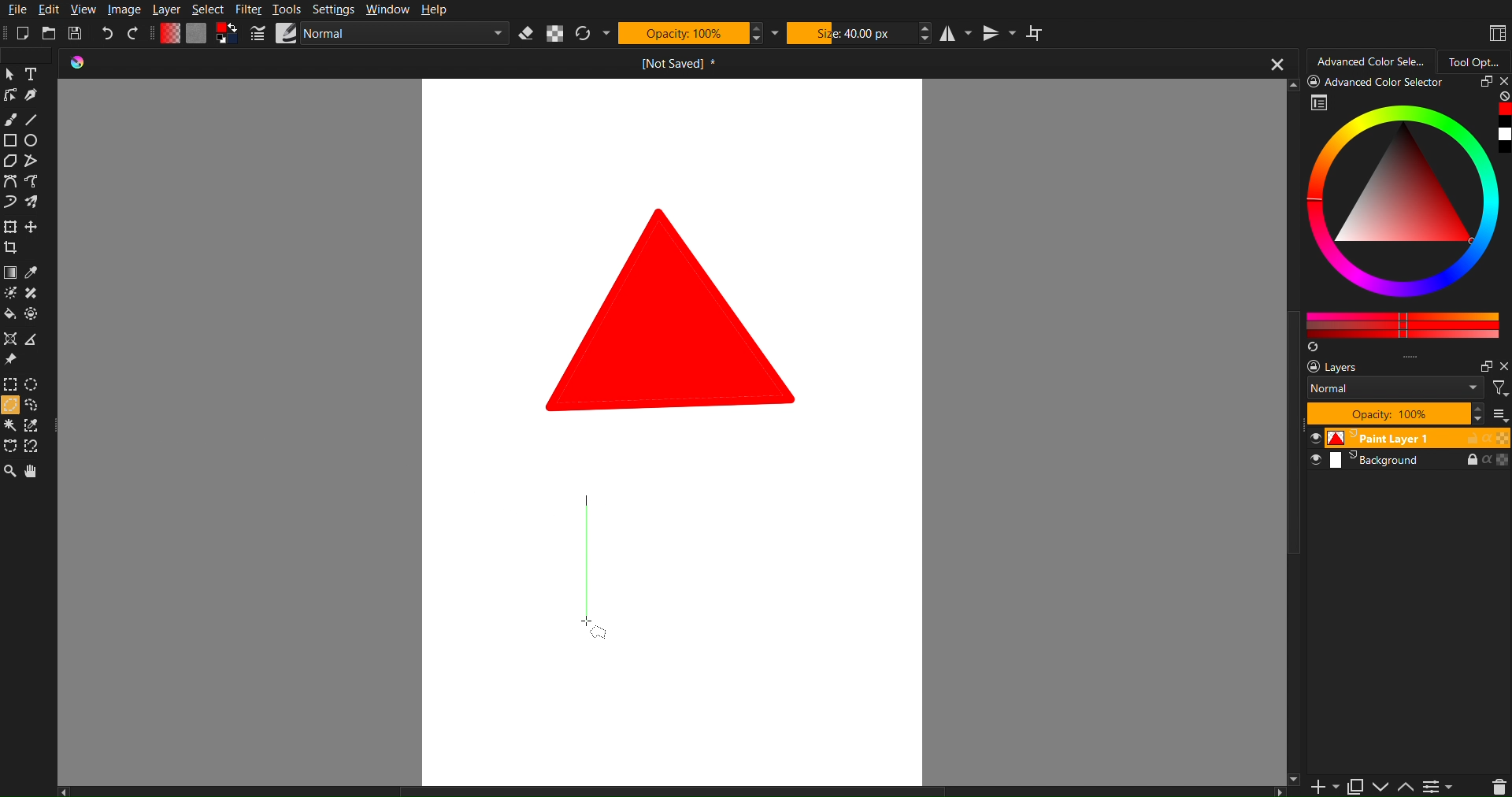 The image size is (1512, 797). What do you see at coordinates (32, 274) in the screenshot?
I see `Dropper` at bounding box center [32, 274].